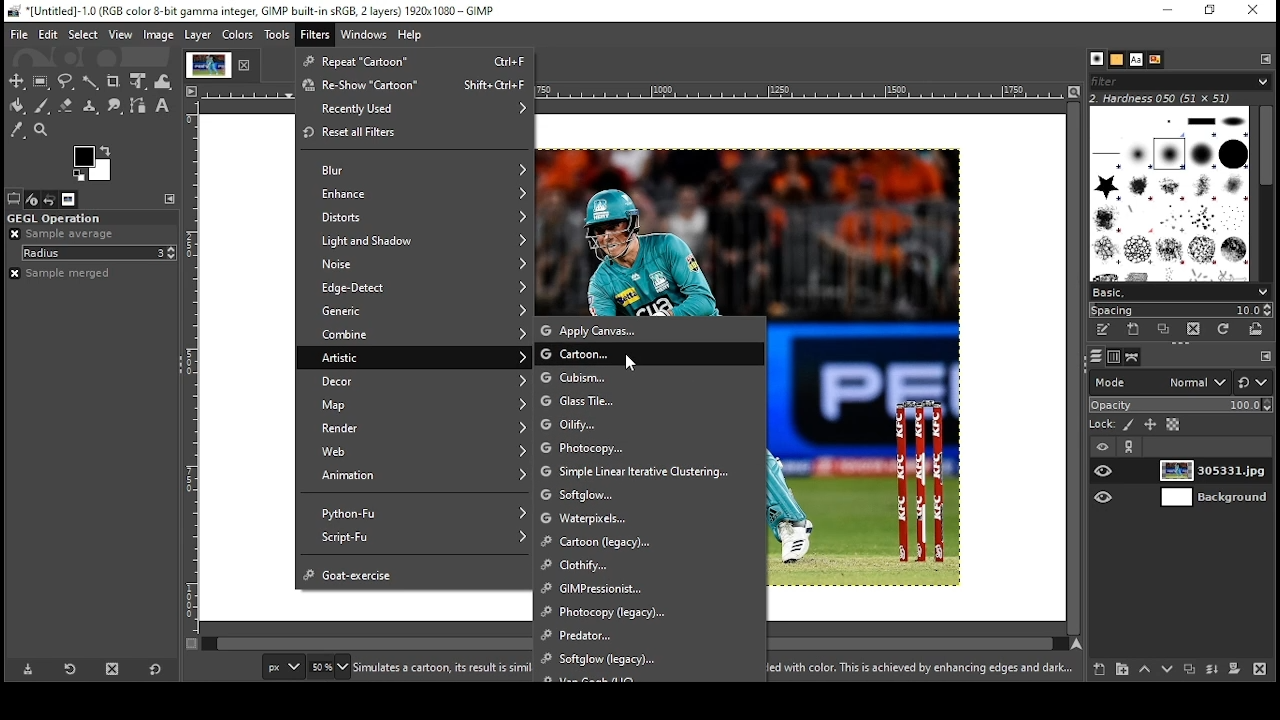  Describe the element at coordinates (415, 289) in the screenshot. I see `edge detect` at that location.